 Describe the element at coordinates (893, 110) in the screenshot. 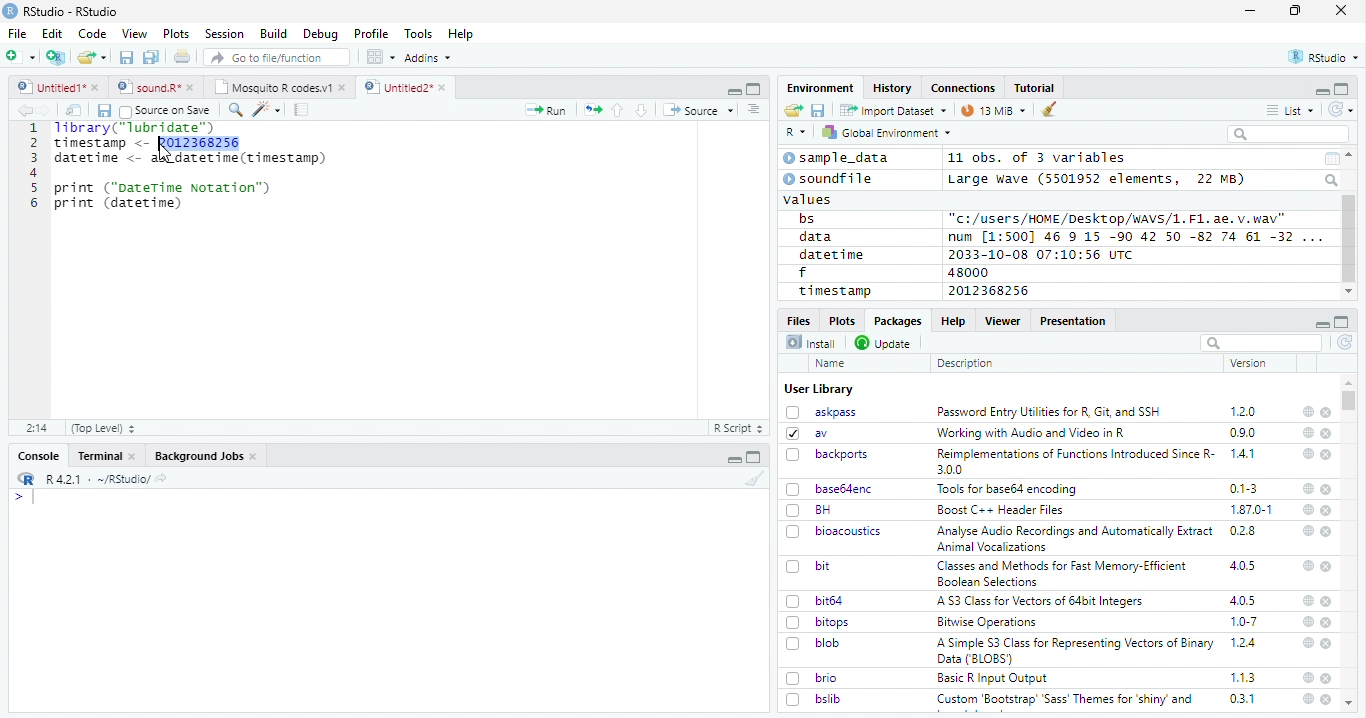

I see `Import Dataset` at that location.